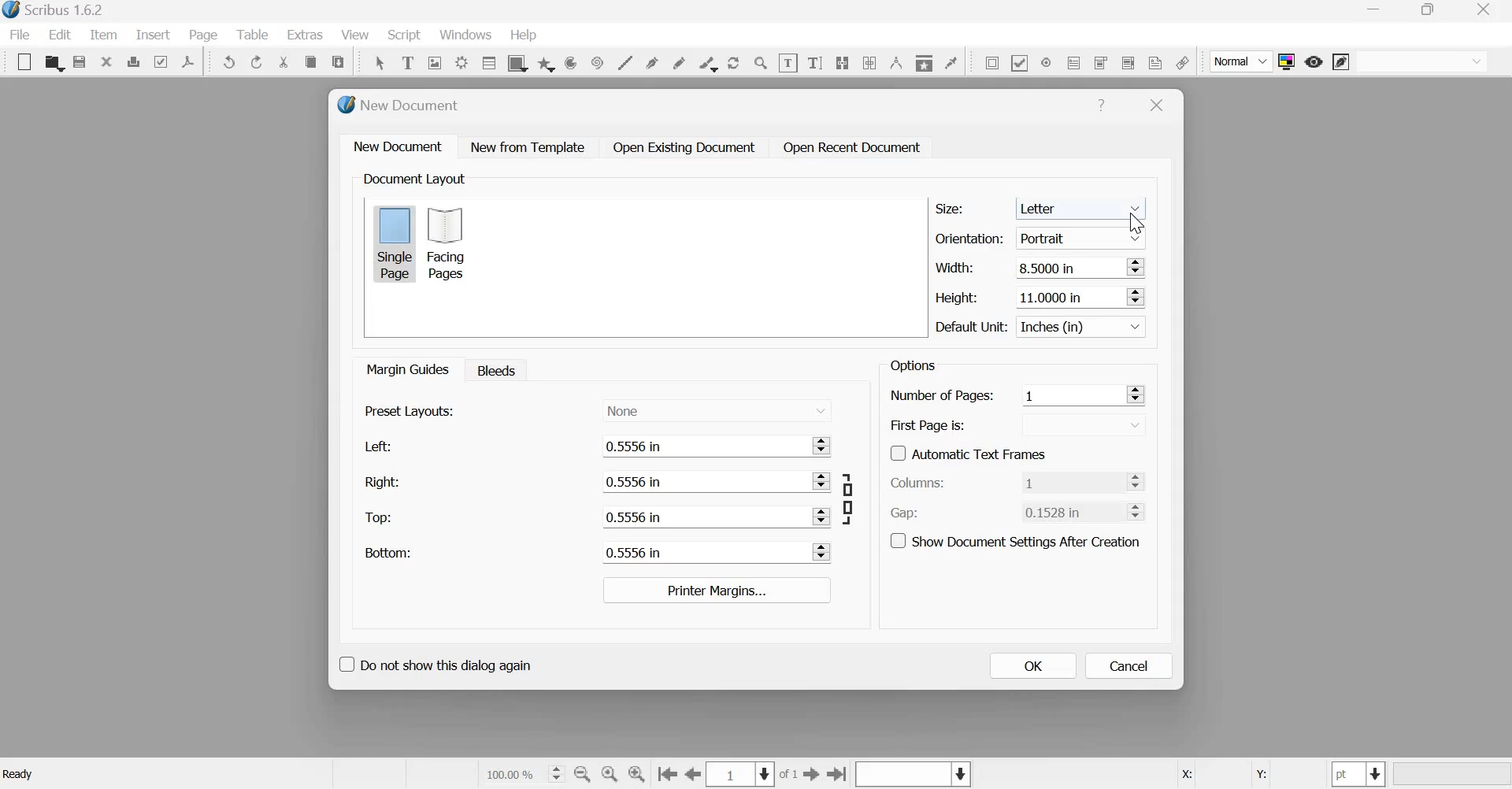 The height and width of the screenshot is (789, 1512). What do you see at coordinates (703, 516) in the screenshot?
I see `0.5556 in` at bounding box center [703, 516].